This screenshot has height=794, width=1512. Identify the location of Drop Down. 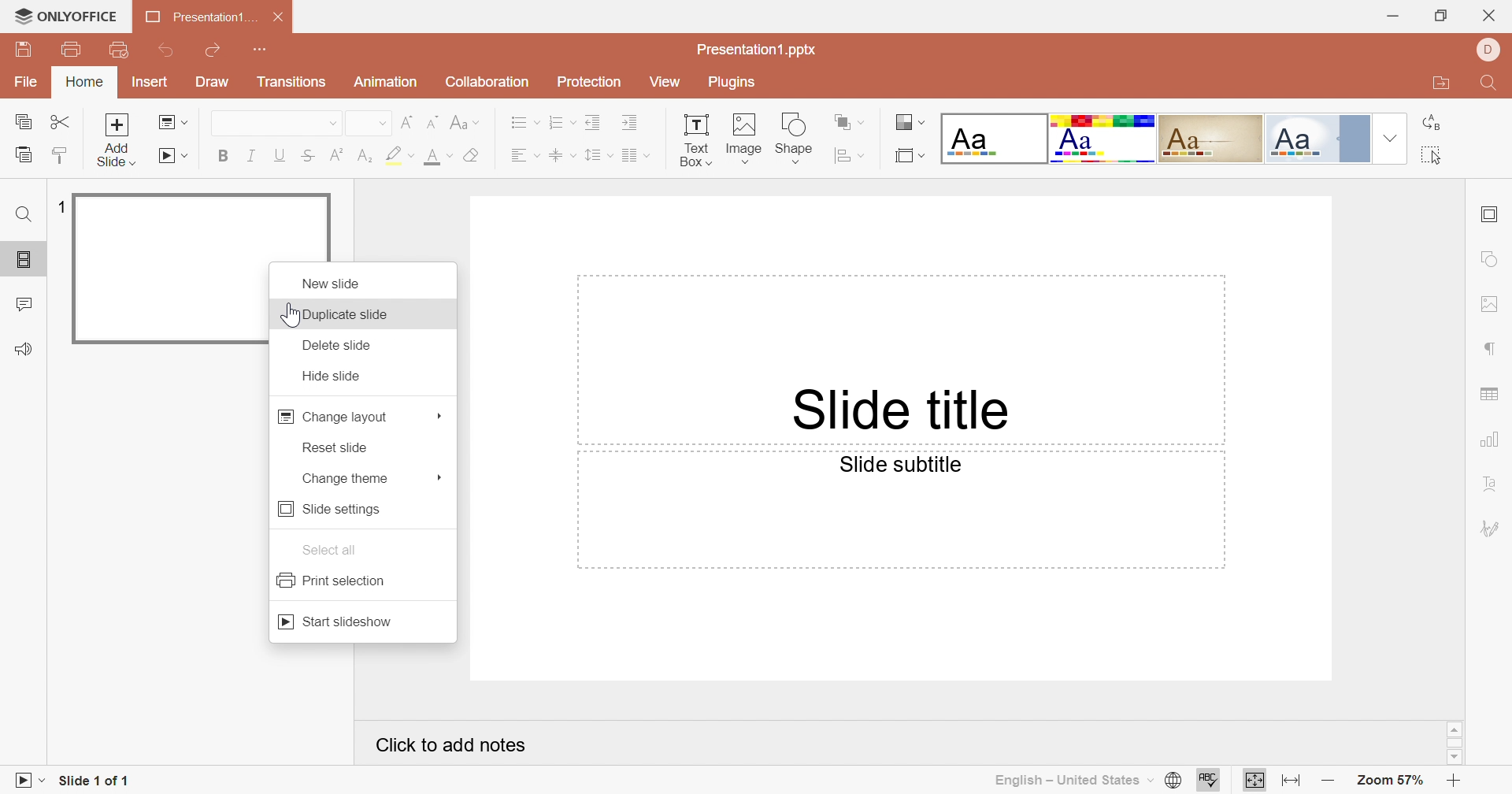
(574, 155).